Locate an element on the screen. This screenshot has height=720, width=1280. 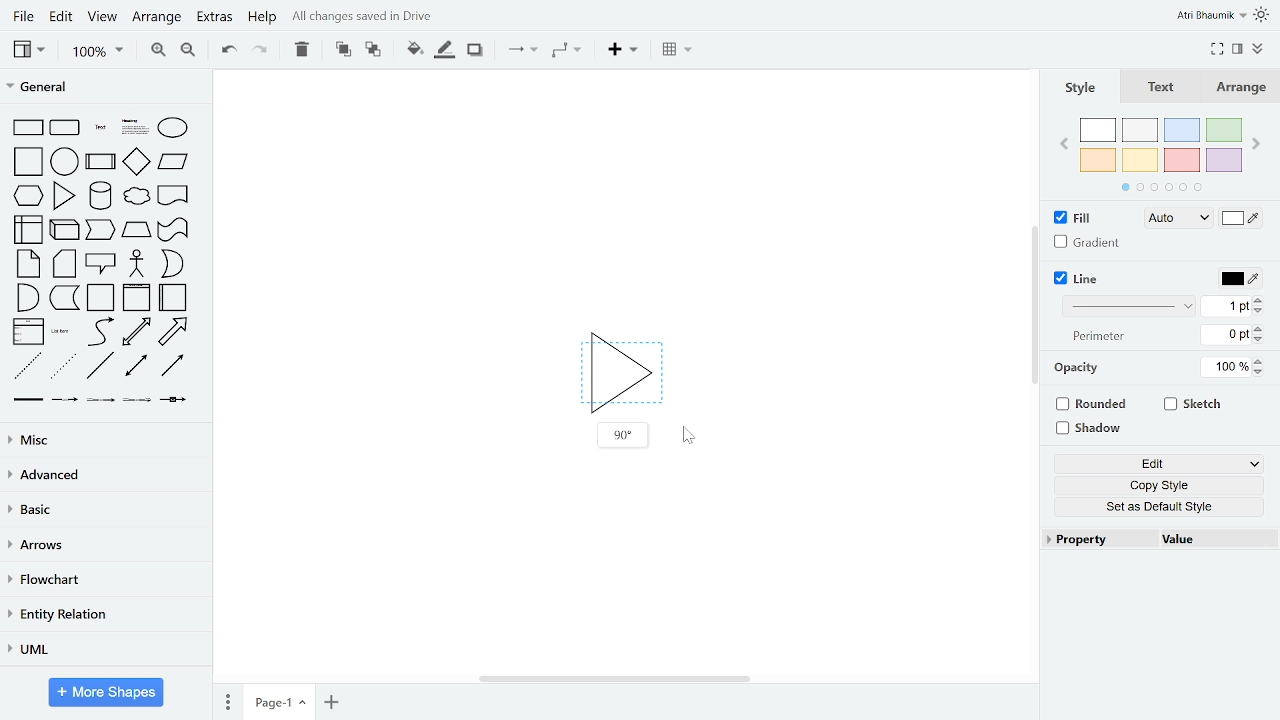
callout is located at coordinates (100, 265).